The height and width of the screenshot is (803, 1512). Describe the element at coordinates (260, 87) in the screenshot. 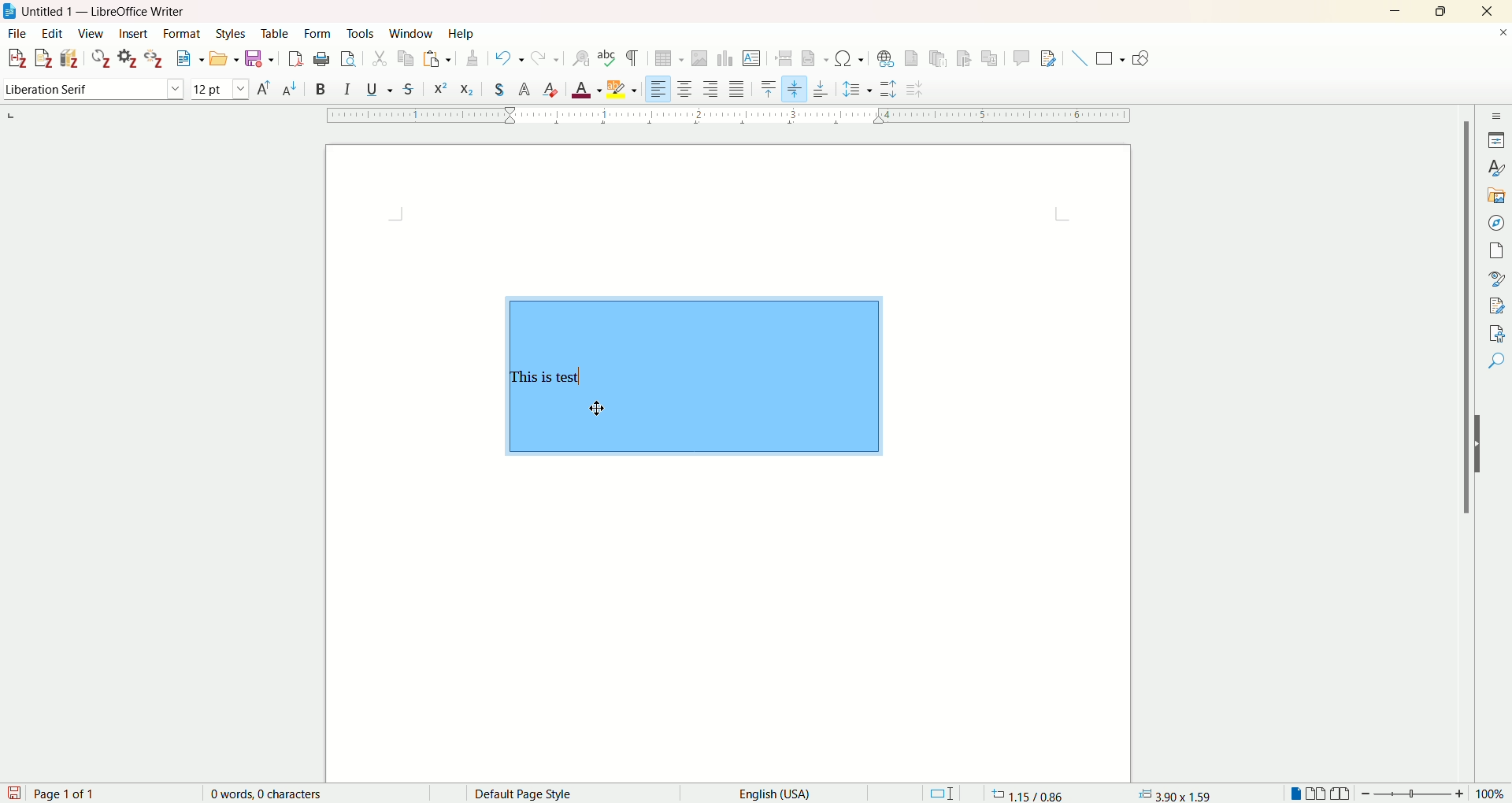

I see `bring to front` at that location.